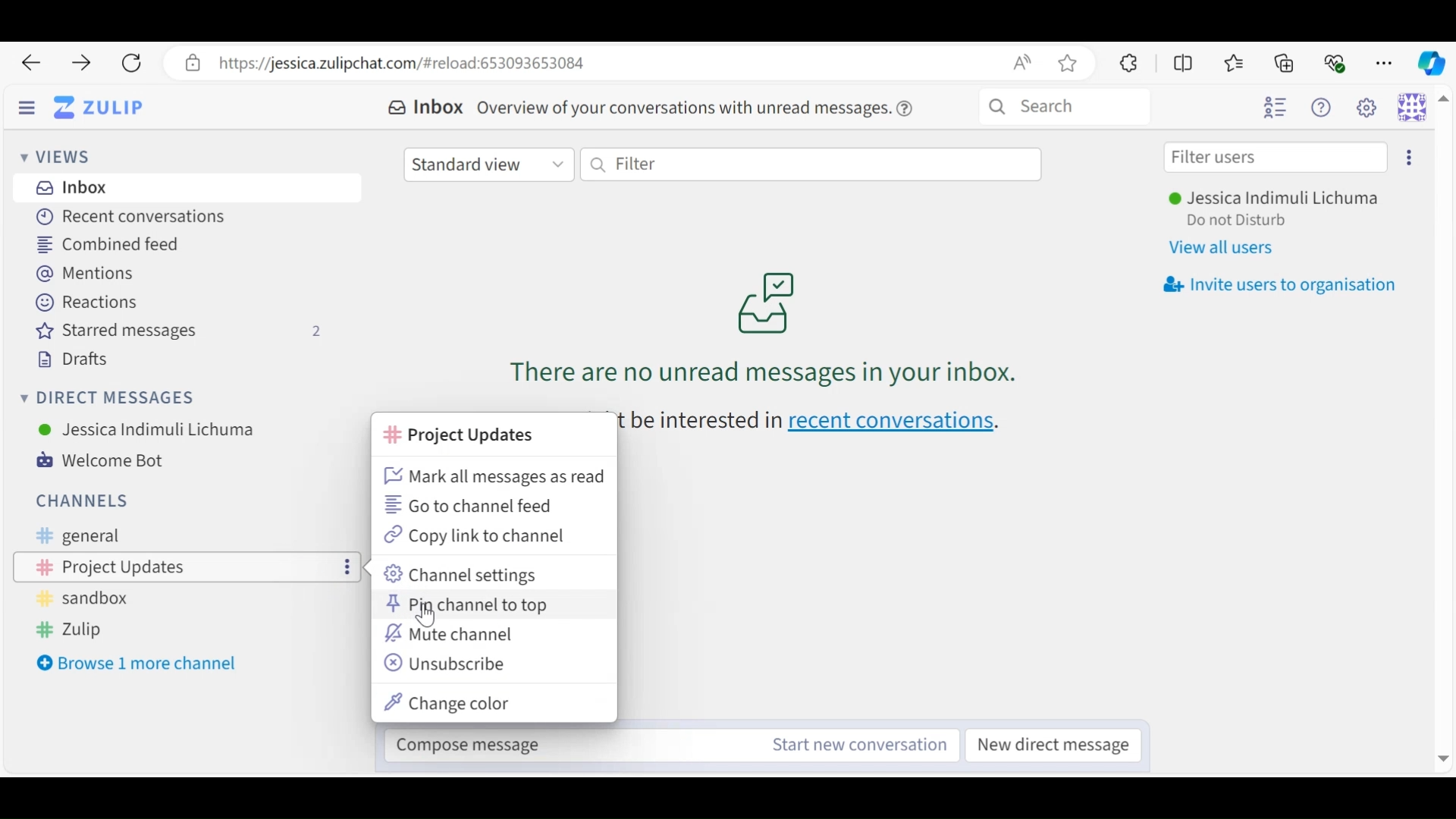  Describe the element at coordinates (493, 505) in the screenshot. I see `Go to channel feed` at that location.